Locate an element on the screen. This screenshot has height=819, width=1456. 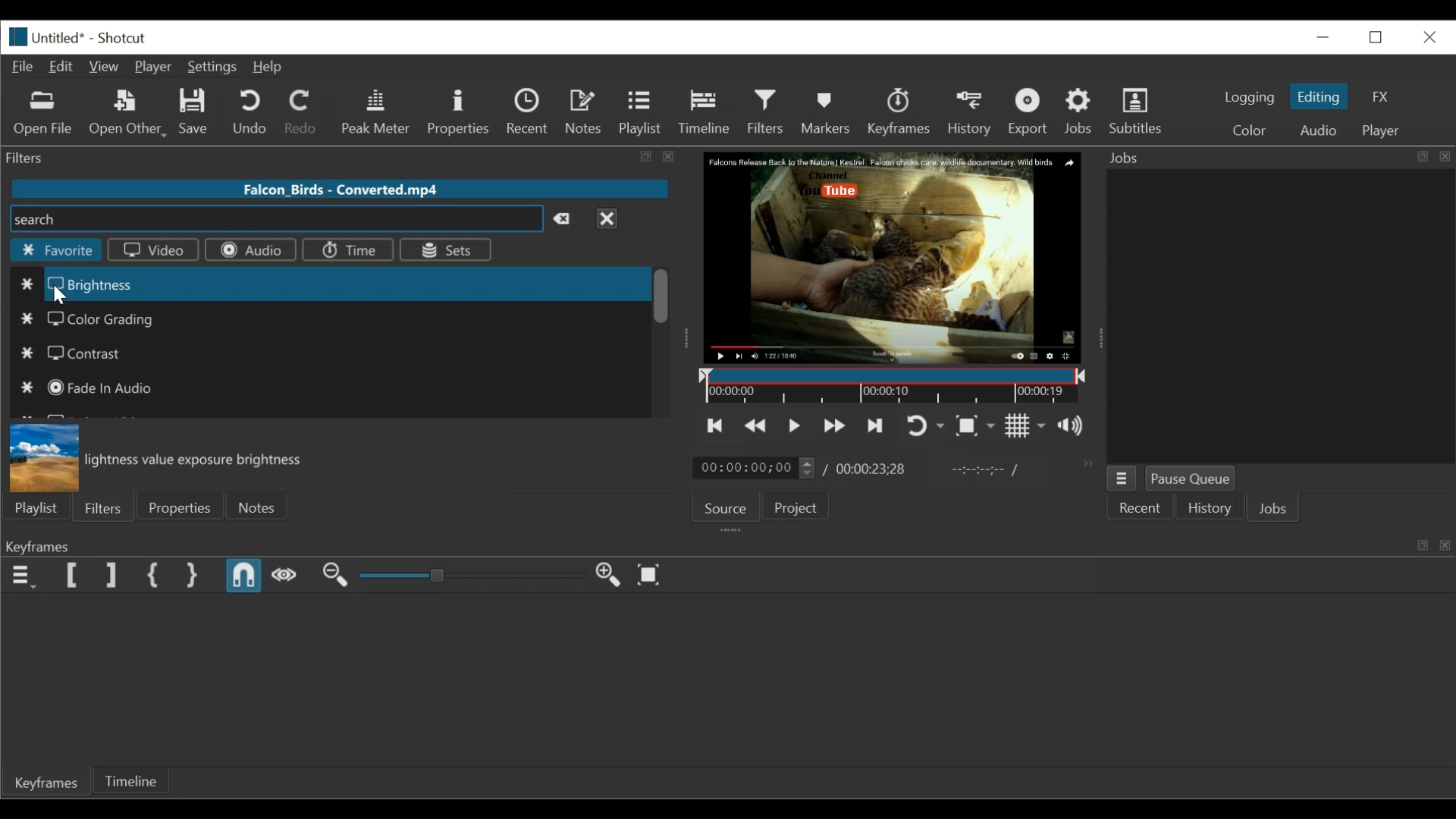
Audio is located at coordinates (1321, 130).